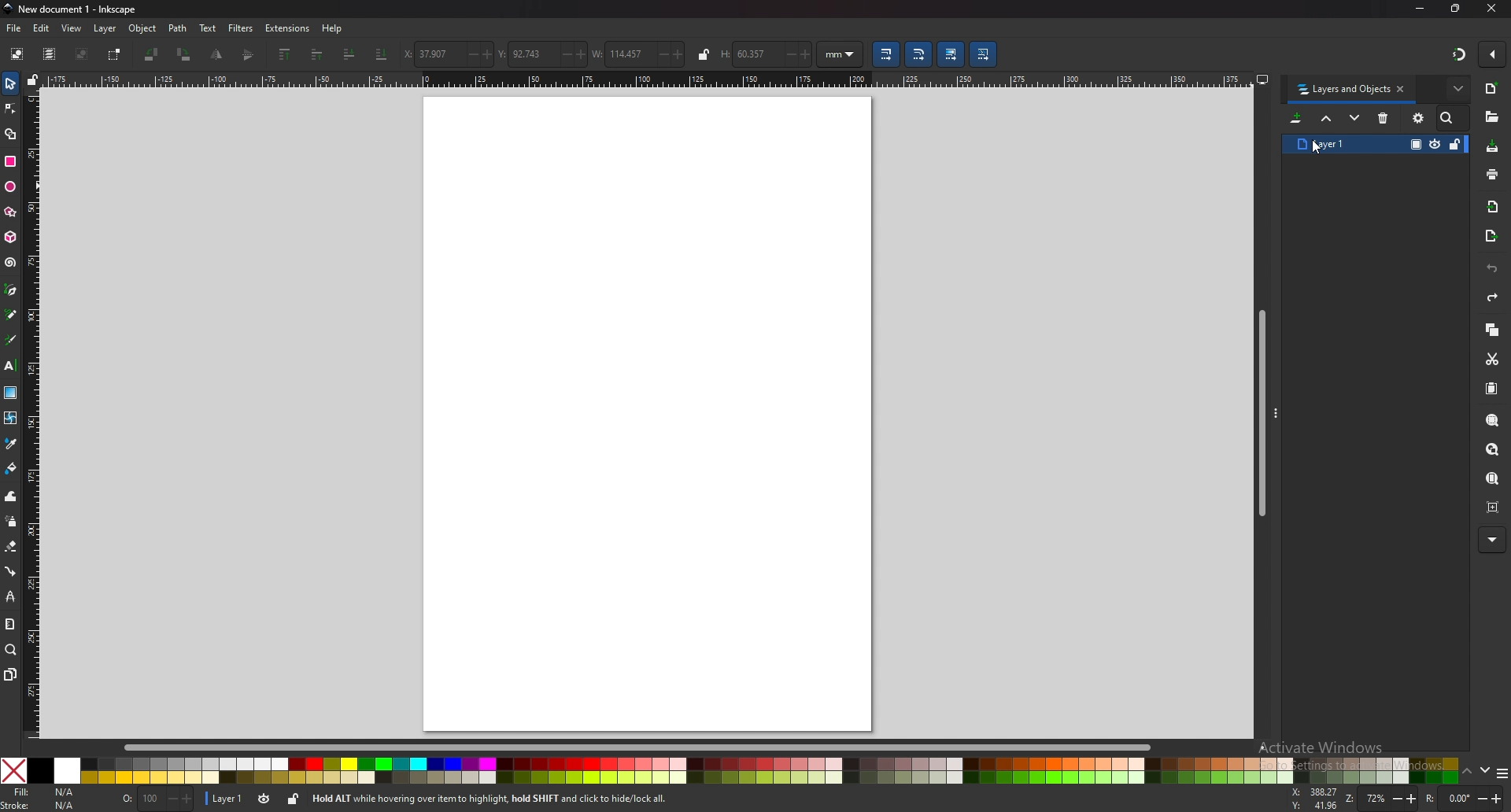 Image resolution: width=1511 pixels, height=812 pixels. What do you see at coordinates (12, 548) in the screenshot?
I see `erase` at bounding box center [12, 548].